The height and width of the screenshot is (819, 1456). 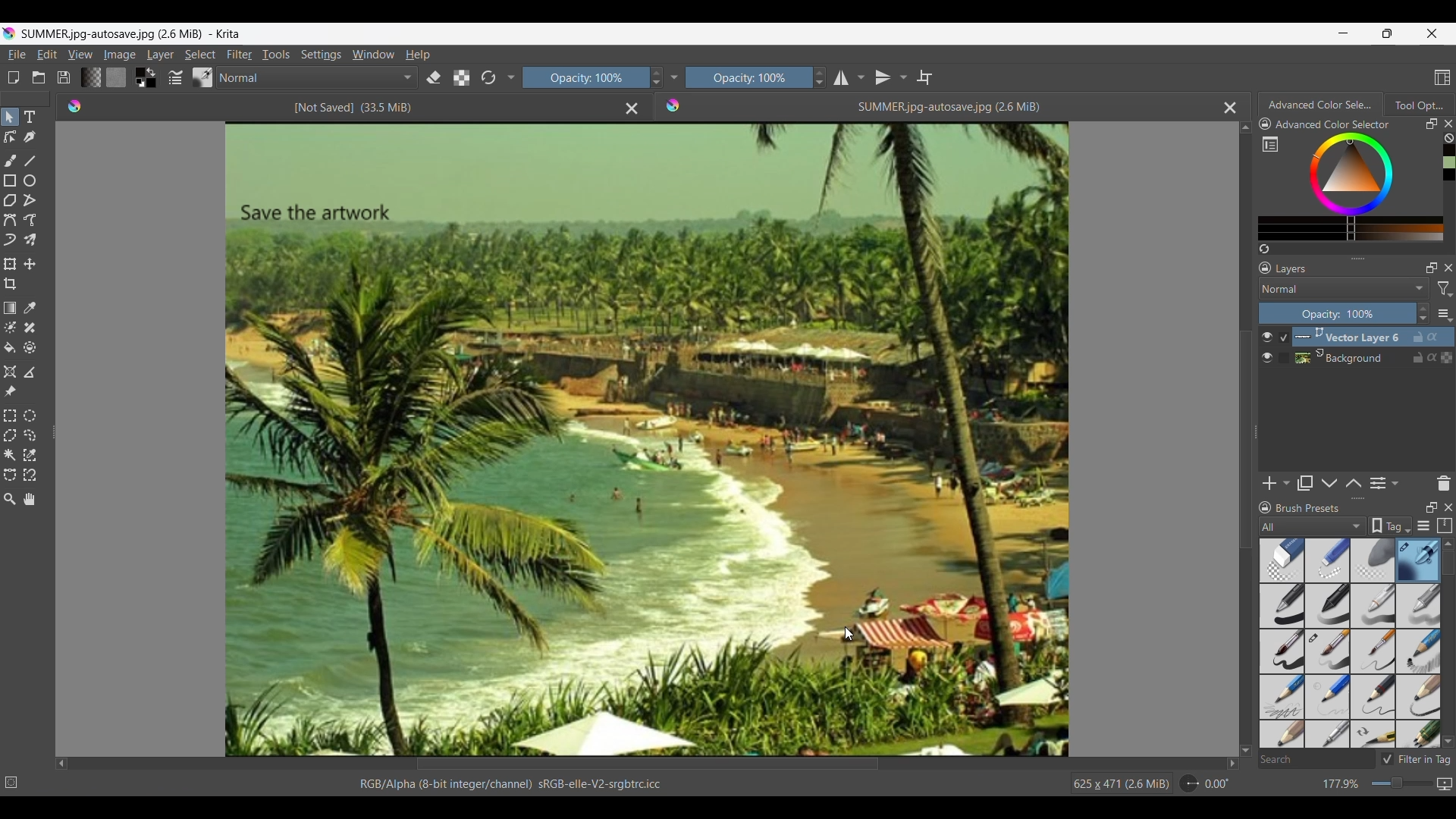 I want to click on Tab 2, unselected, so click(x=1418, y=105).